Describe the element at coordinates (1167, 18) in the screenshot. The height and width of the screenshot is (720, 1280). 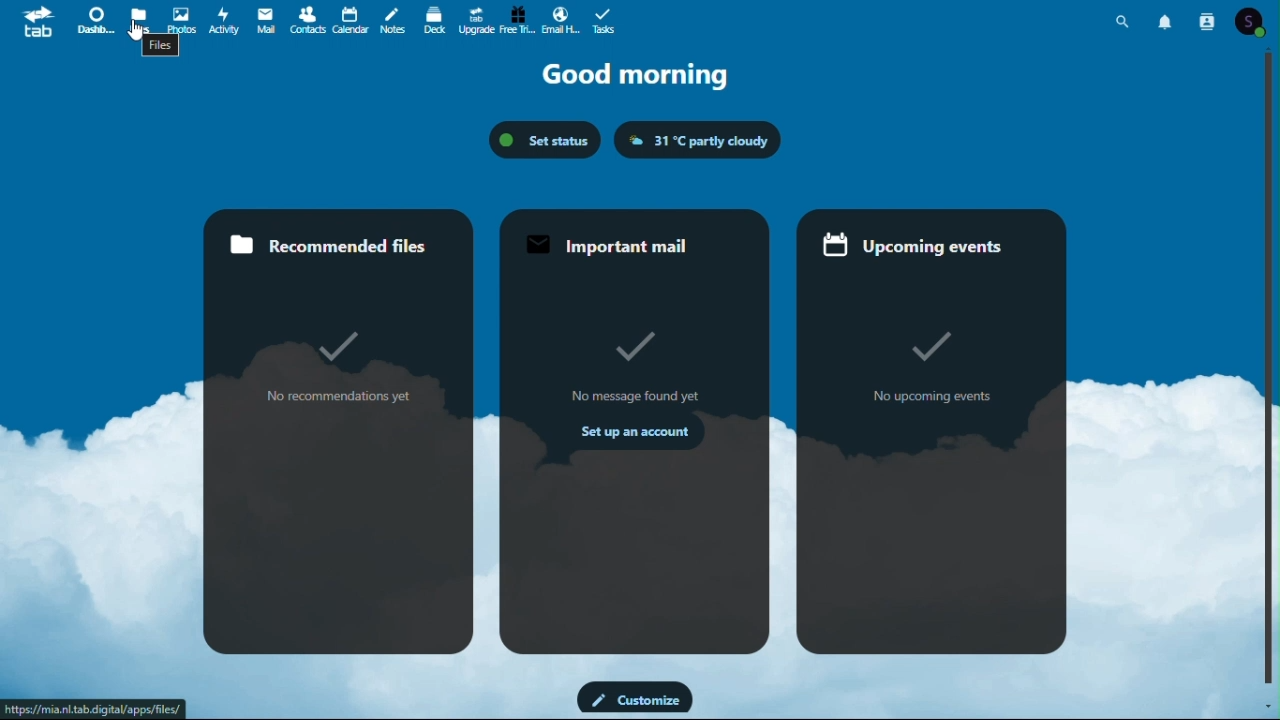
I see `Notifications` at that location.